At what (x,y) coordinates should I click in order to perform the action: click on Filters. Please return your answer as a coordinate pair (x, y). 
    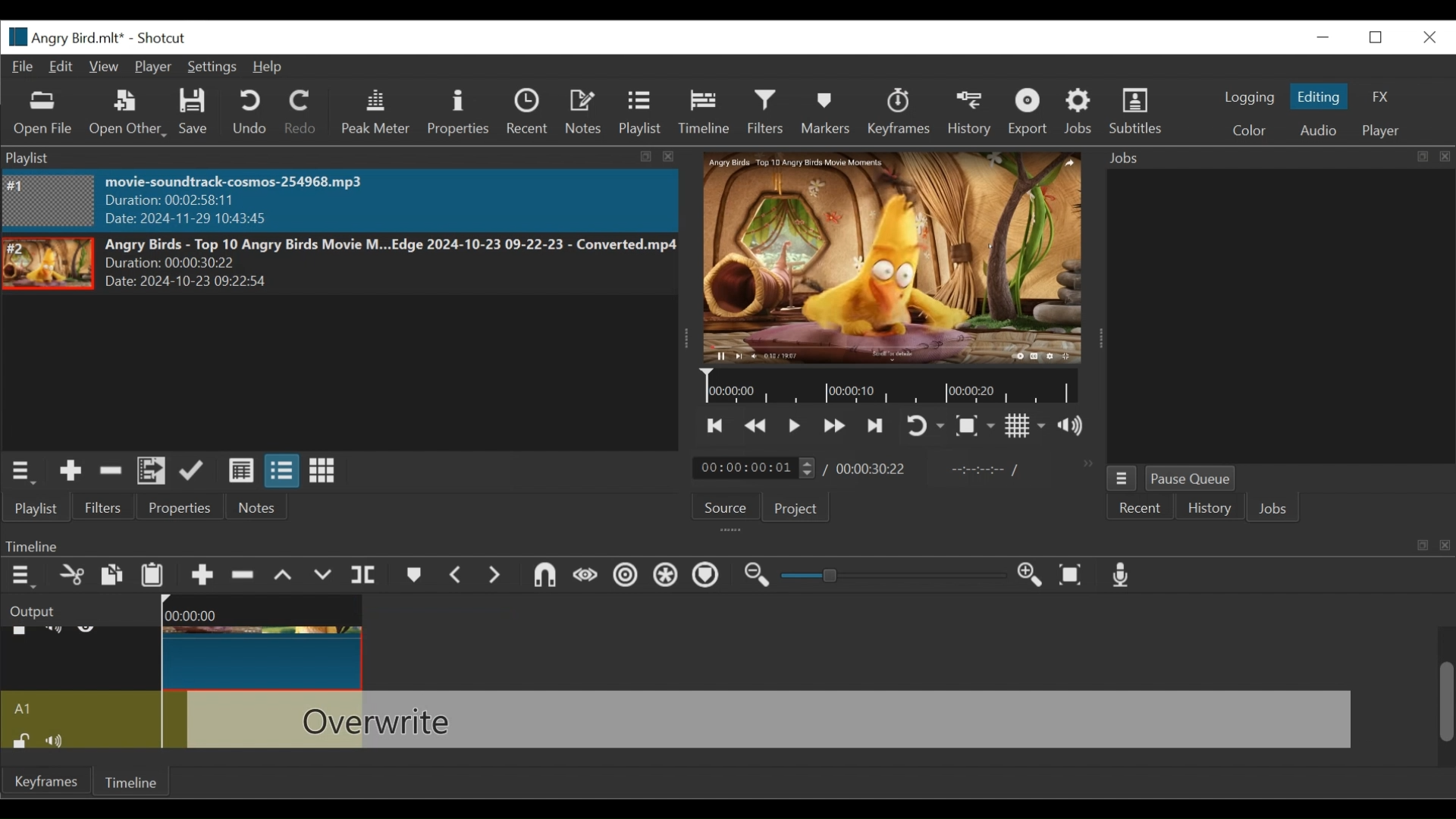
    Looking at the image, I should click on (110, 507).